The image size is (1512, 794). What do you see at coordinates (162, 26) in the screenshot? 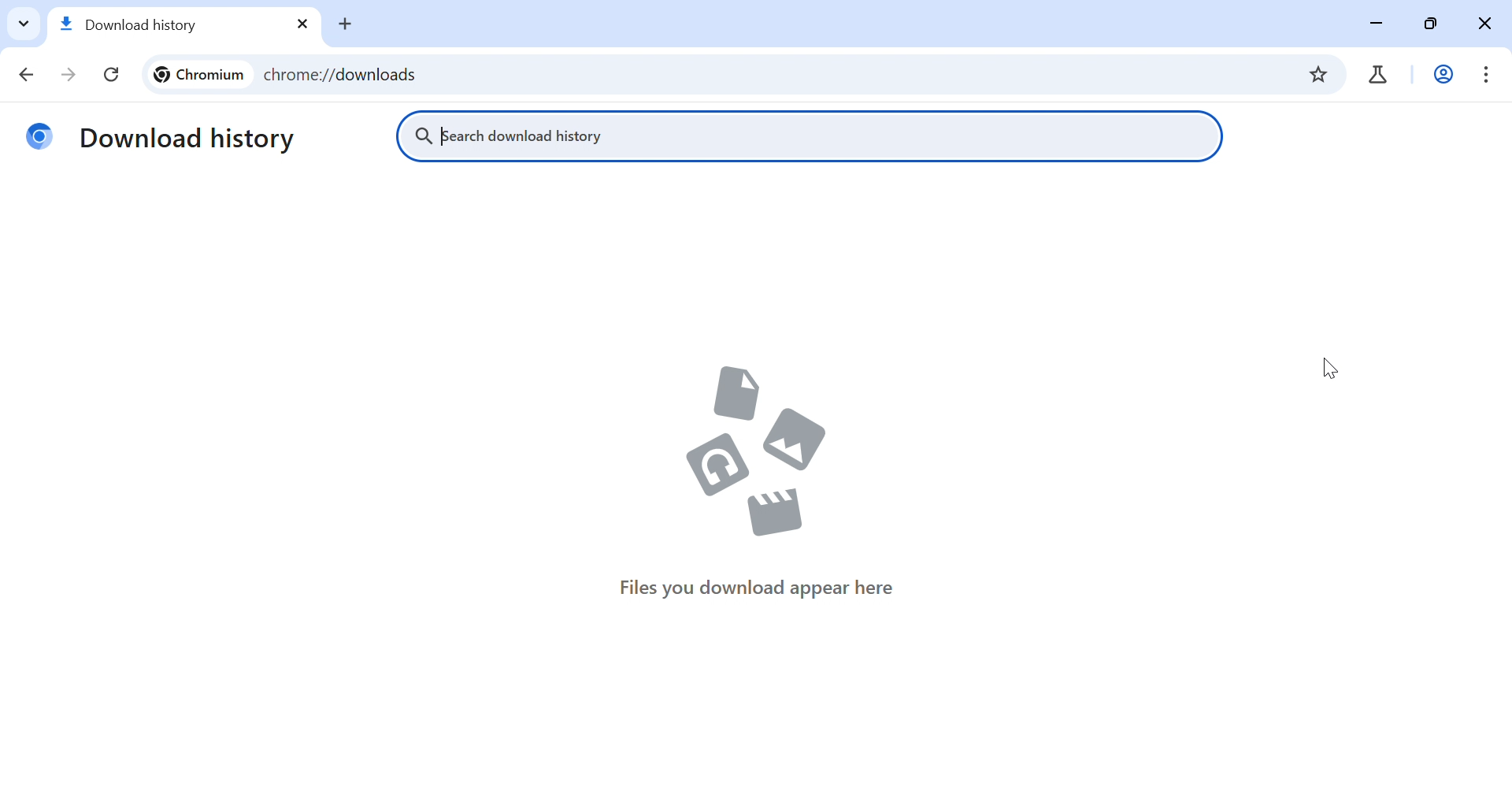
I see `Download history Tab` at bounding box center [162, 26].